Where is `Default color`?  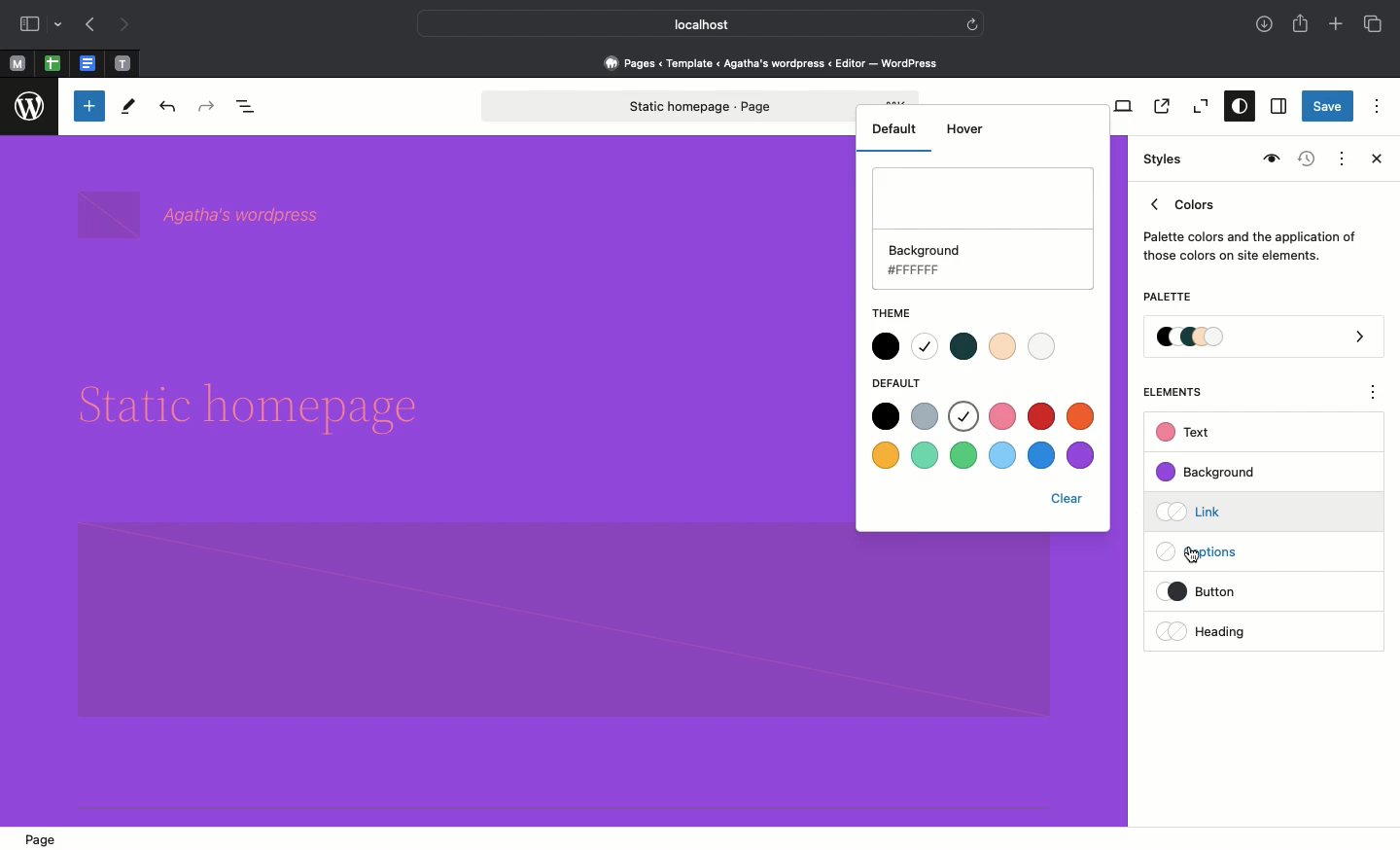
Default color is located at coordinates (1044, 415).